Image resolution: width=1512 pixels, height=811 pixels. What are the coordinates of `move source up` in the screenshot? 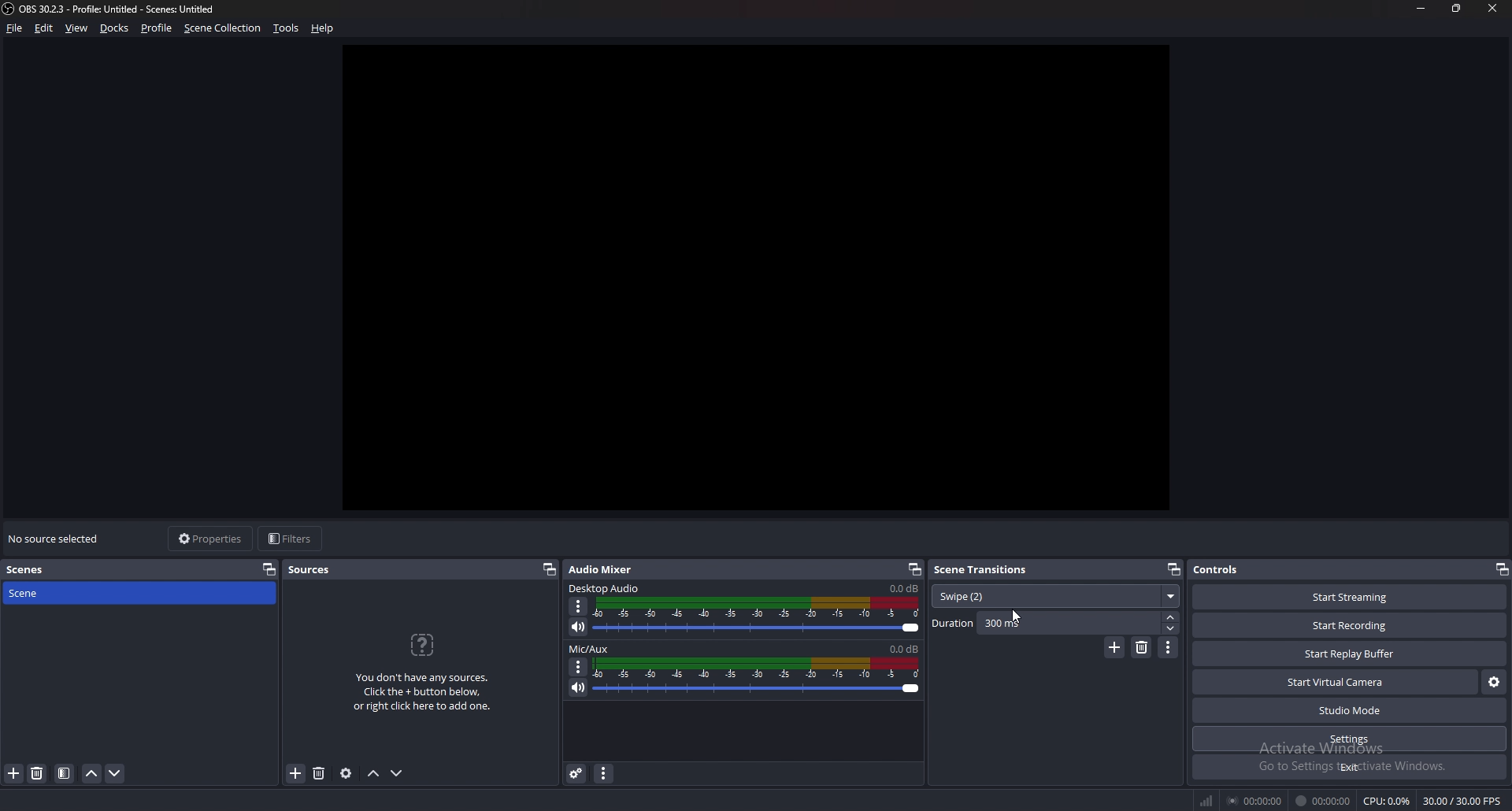 It's located at (373, 774).